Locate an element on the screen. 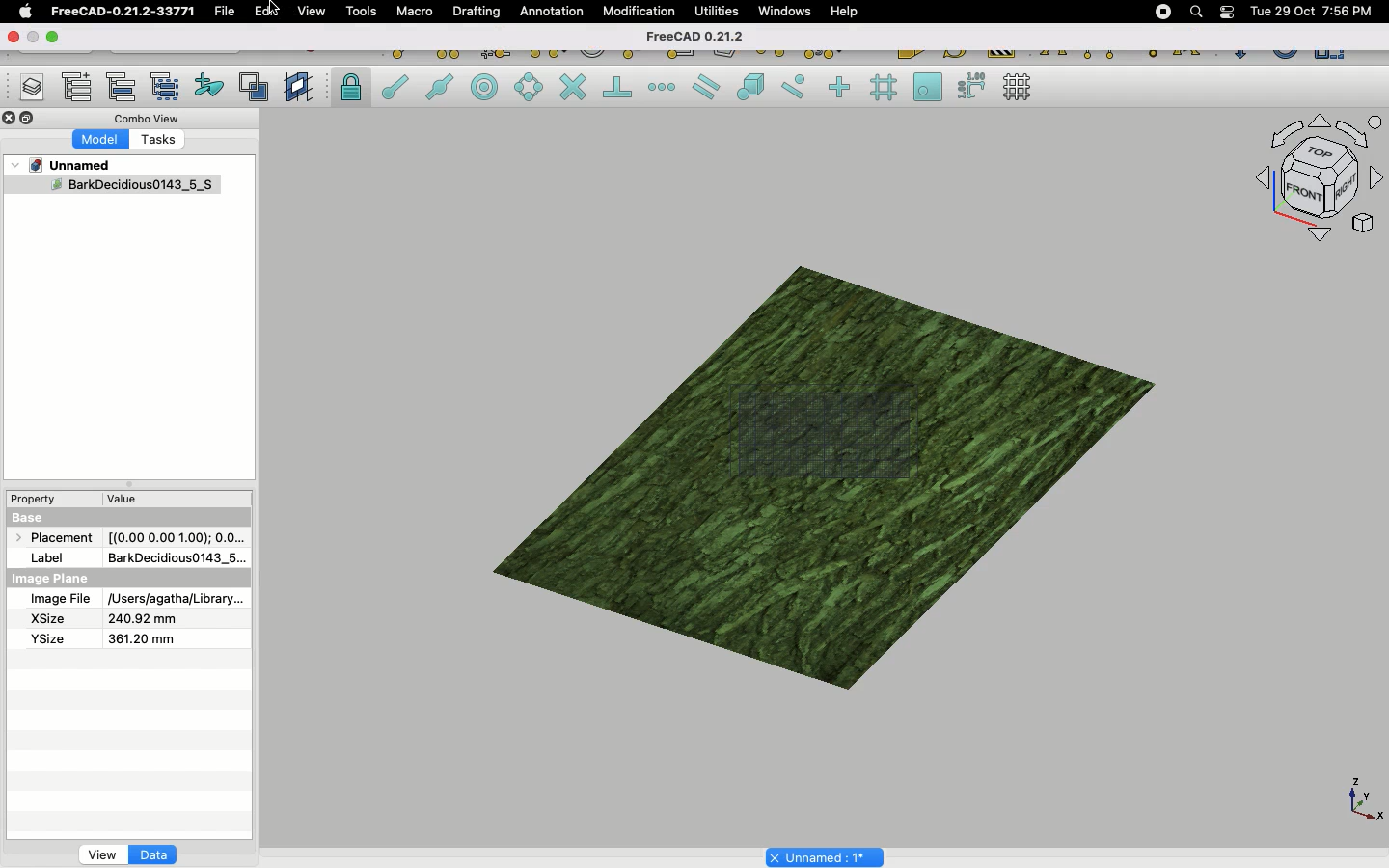  Collapse is located at coordinates (28, 119).